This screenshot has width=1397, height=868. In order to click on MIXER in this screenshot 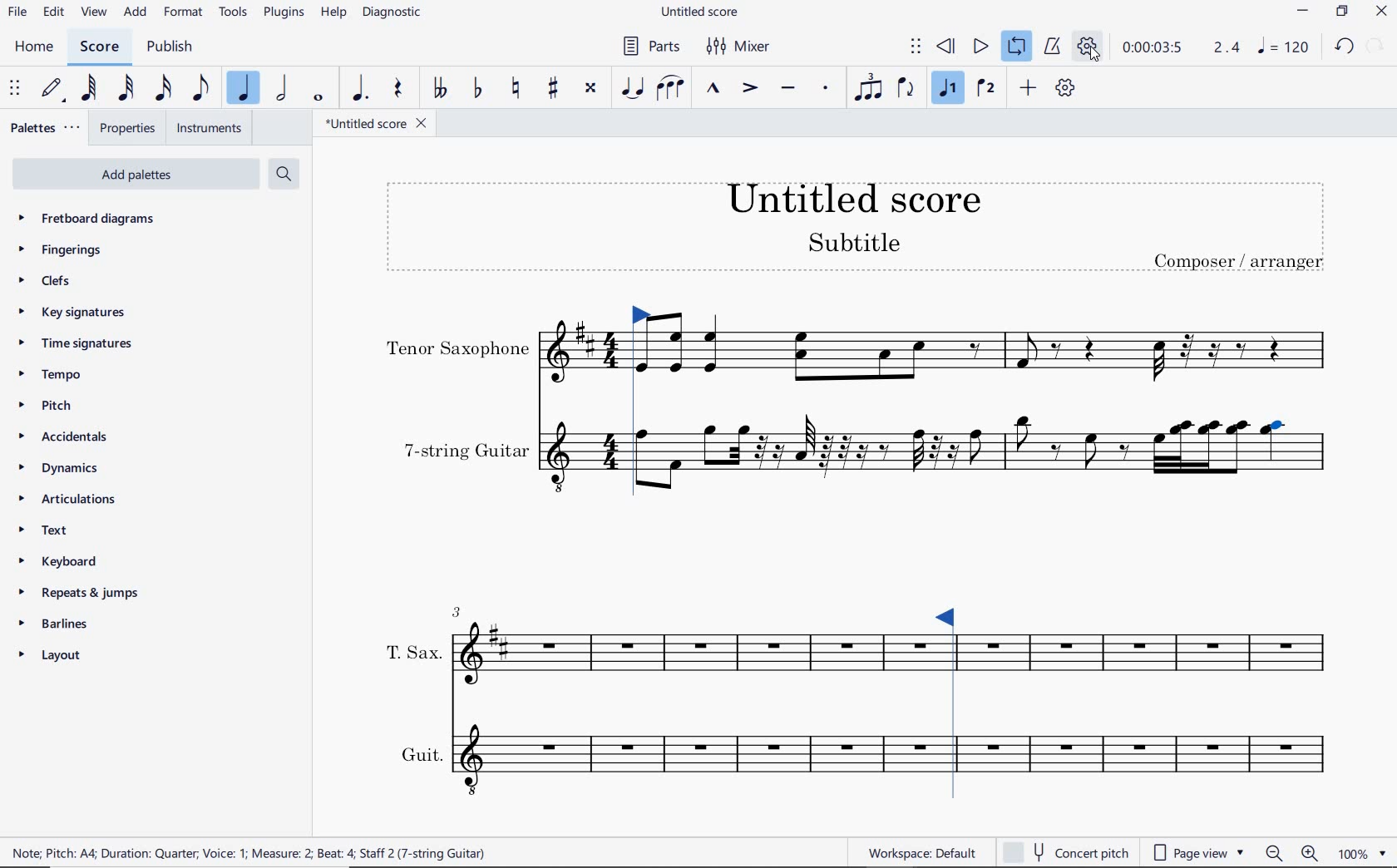, I will do `click(747, 47)`.